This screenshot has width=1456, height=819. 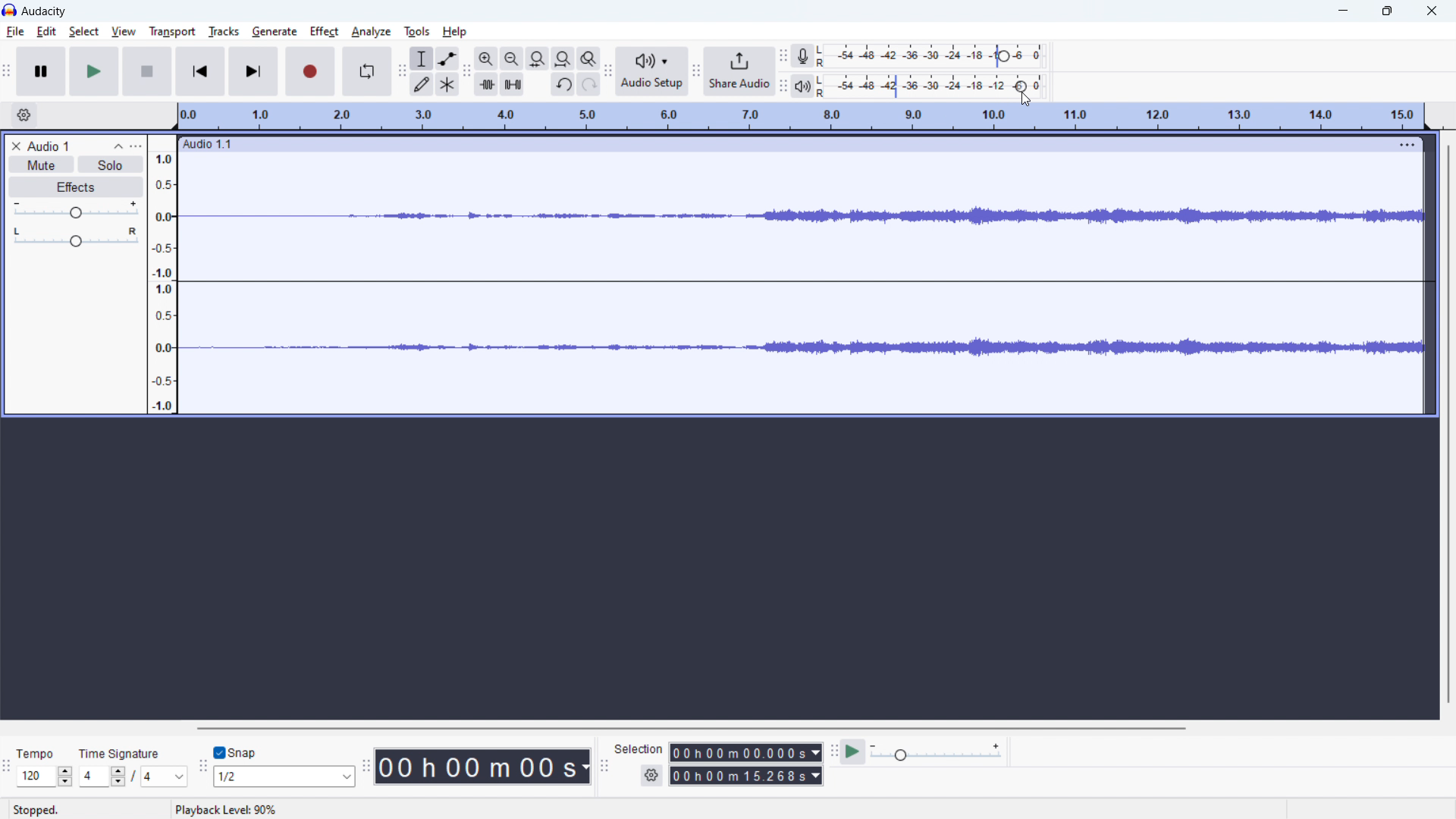 I want to click on minimize, so click(x=1345, y=11).